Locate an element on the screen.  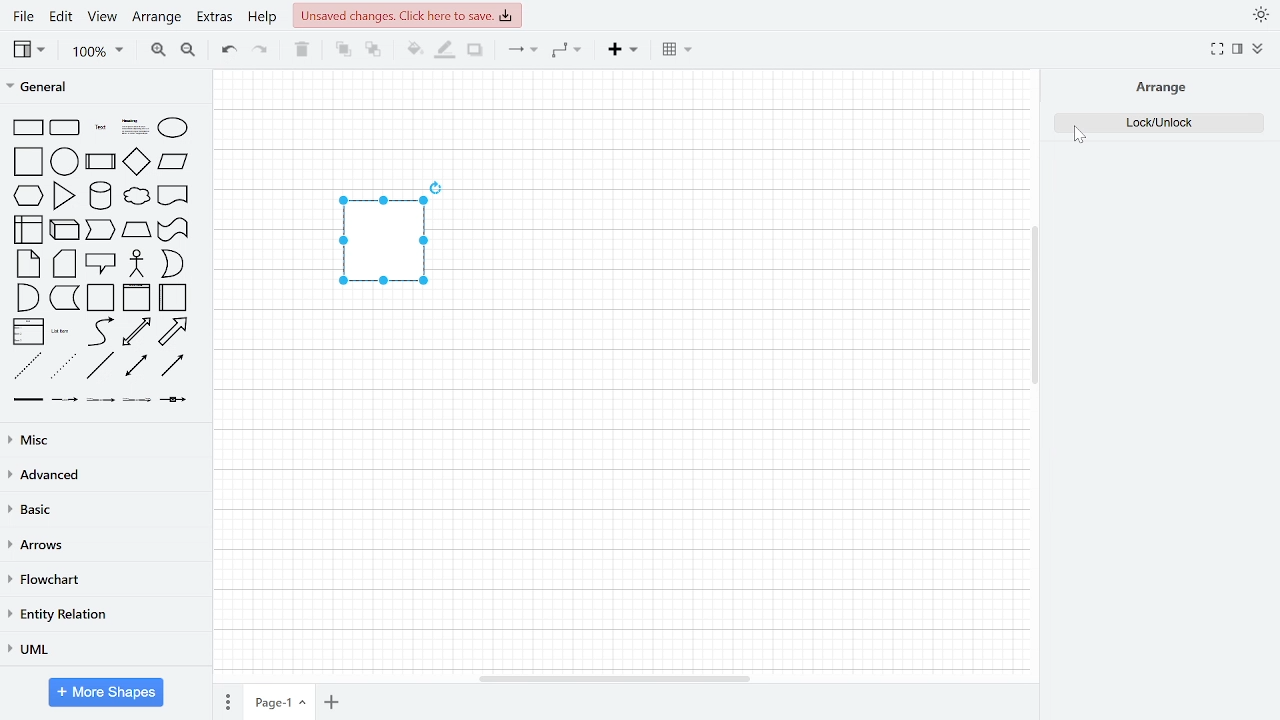
insert is located at coordinates (622, 50).